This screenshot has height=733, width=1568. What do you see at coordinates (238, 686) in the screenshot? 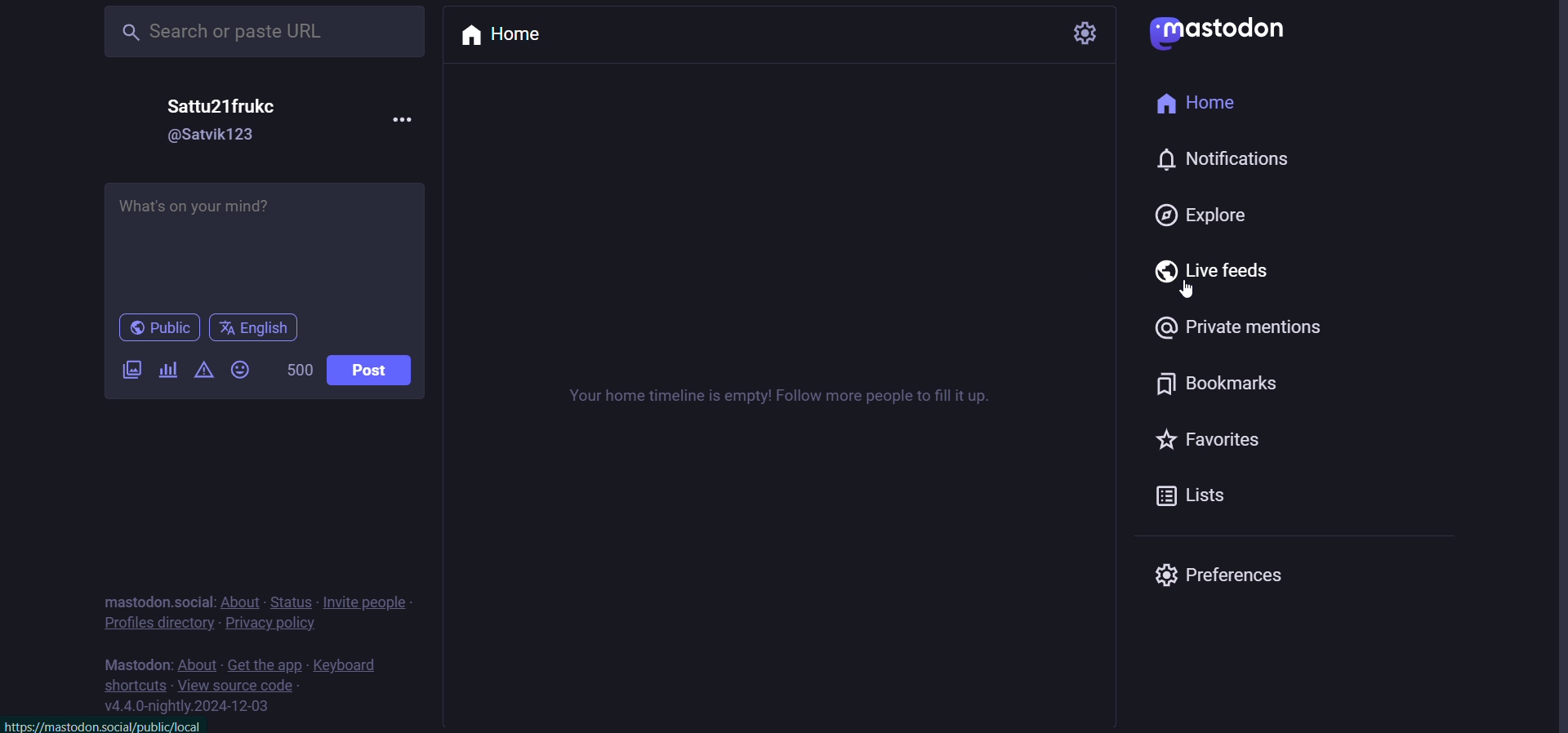
I see `view source code` at bounding box center [238, 686].